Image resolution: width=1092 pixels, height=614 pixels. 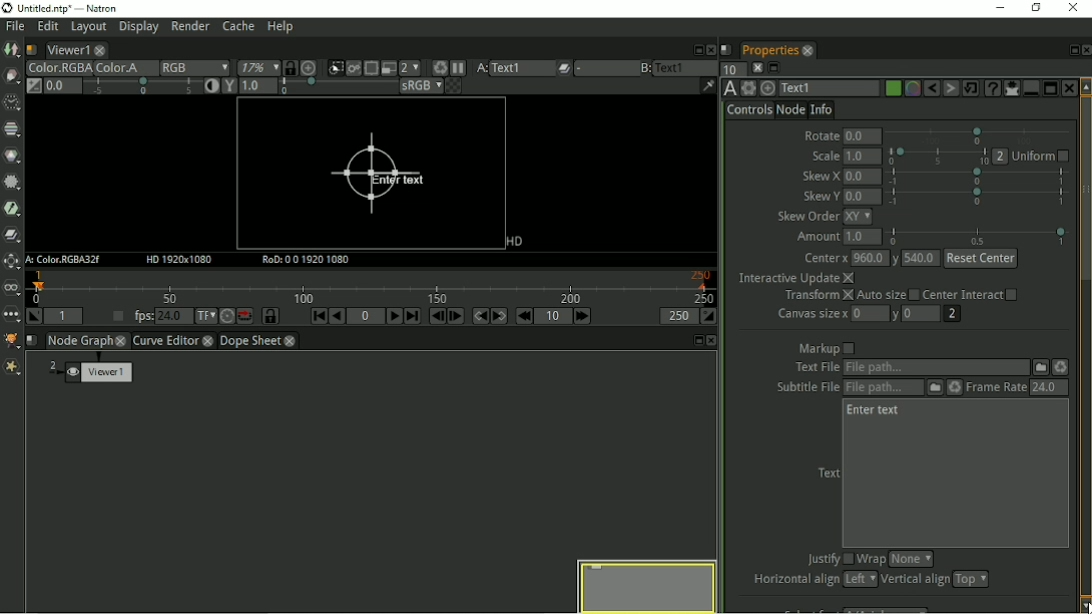 I want to click on HD, so click(x=181, y=260).